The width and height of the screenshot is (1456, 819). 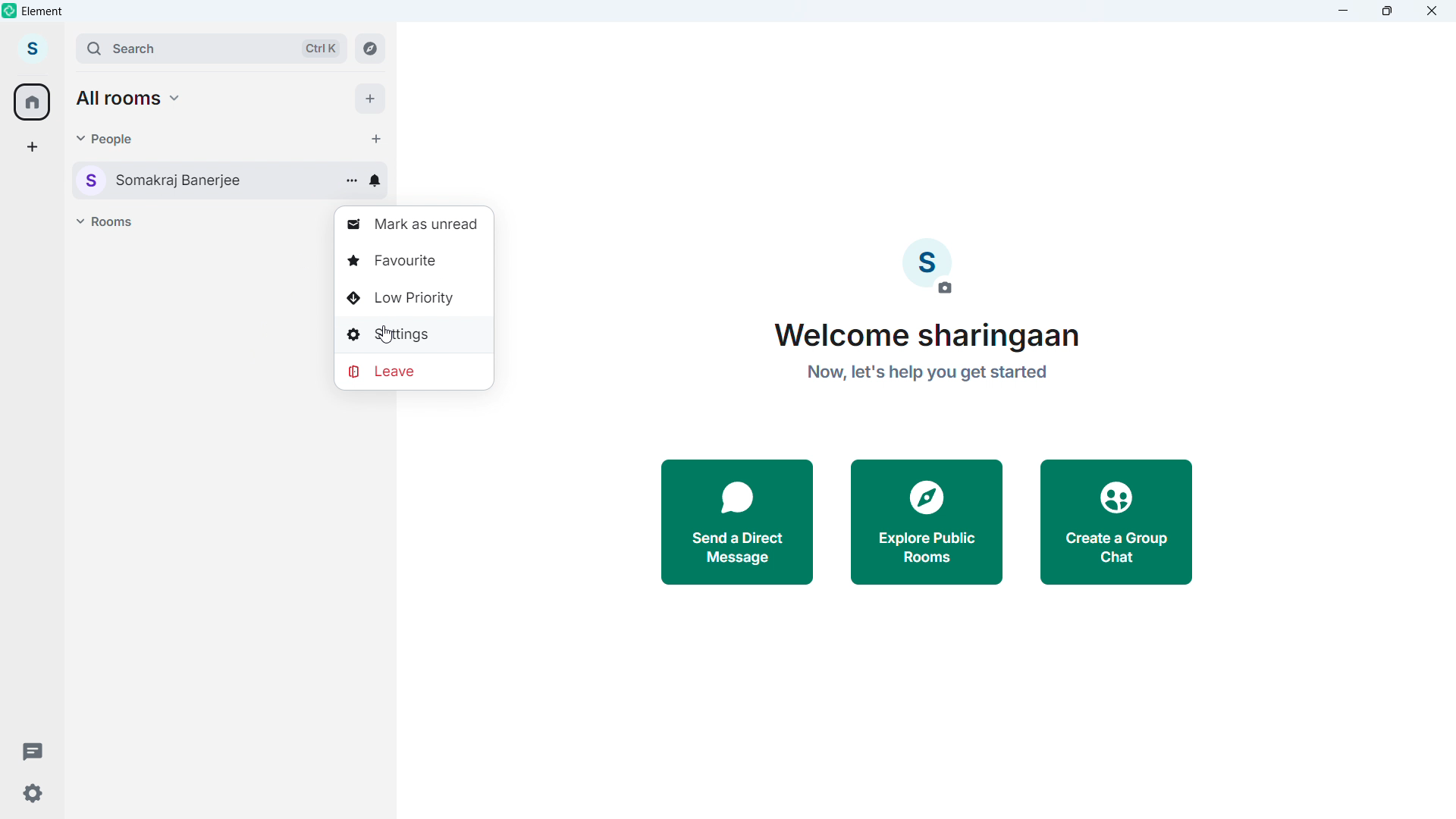 I want to click on Conversation options , so click(x=351, y=180).